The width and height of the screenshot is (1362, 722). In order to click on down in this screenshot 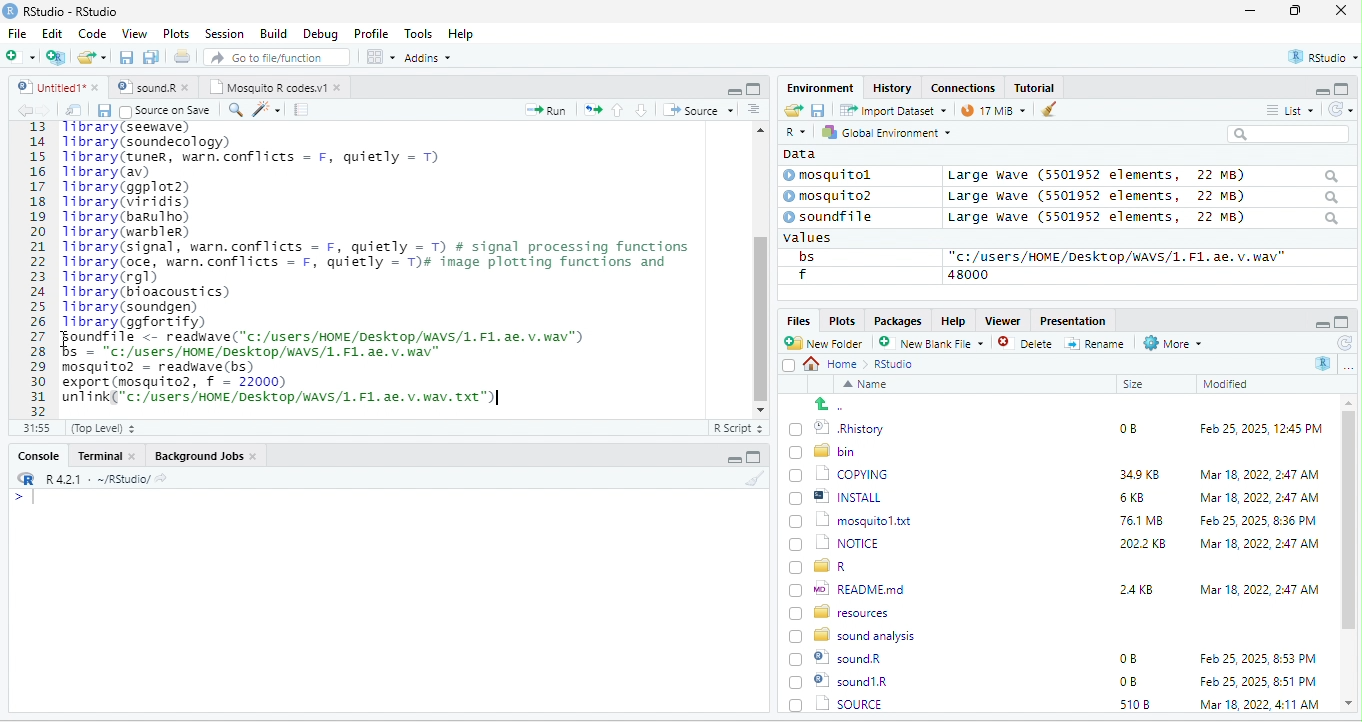, I will do `click(642, 109)`.